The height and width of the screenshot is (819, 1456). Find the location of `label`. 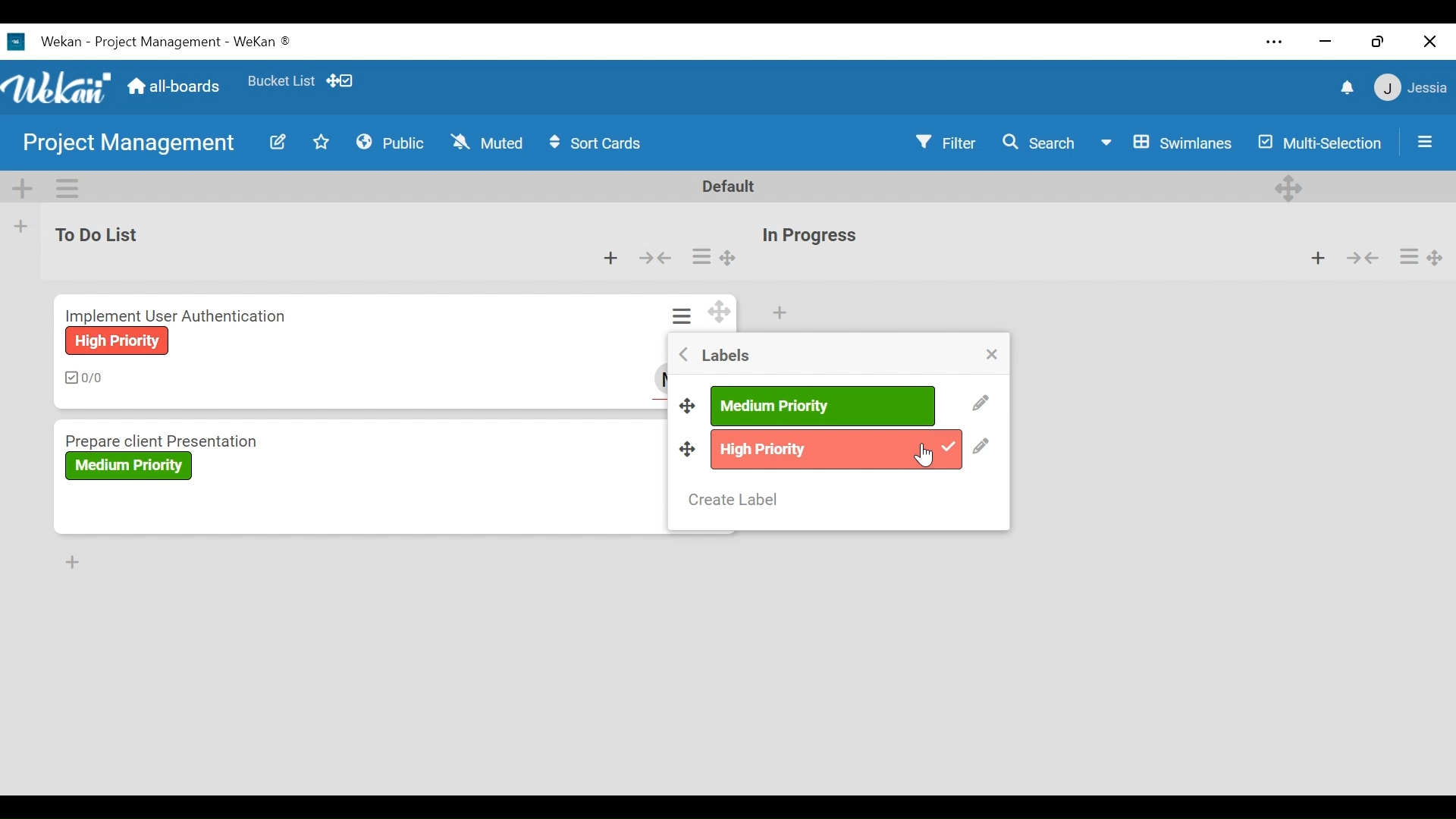

label is located at coordinates (836, 448).